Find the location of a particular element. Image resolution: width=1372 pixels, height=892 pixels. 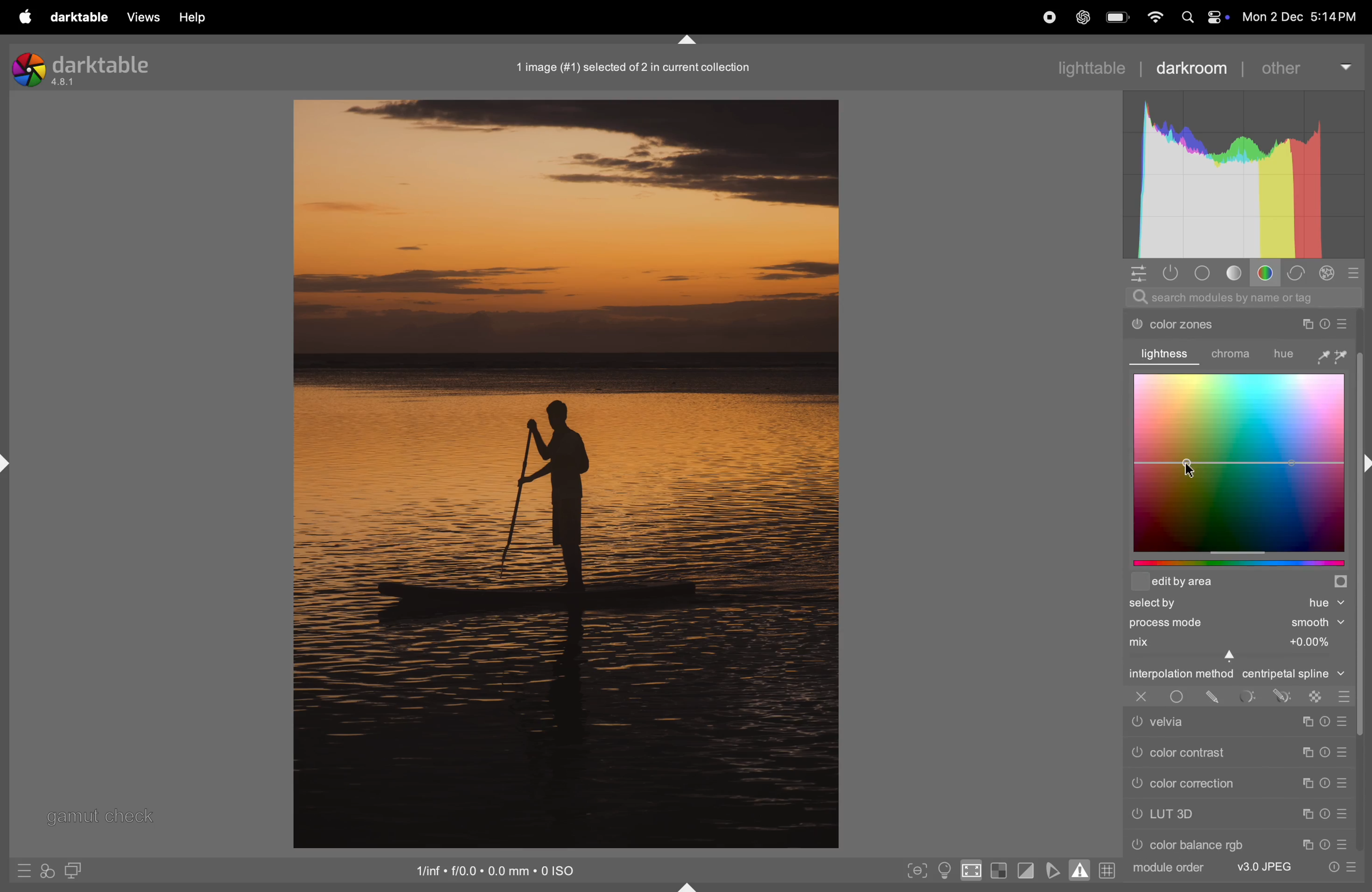

Timer is located at coordinates (1325, 753).